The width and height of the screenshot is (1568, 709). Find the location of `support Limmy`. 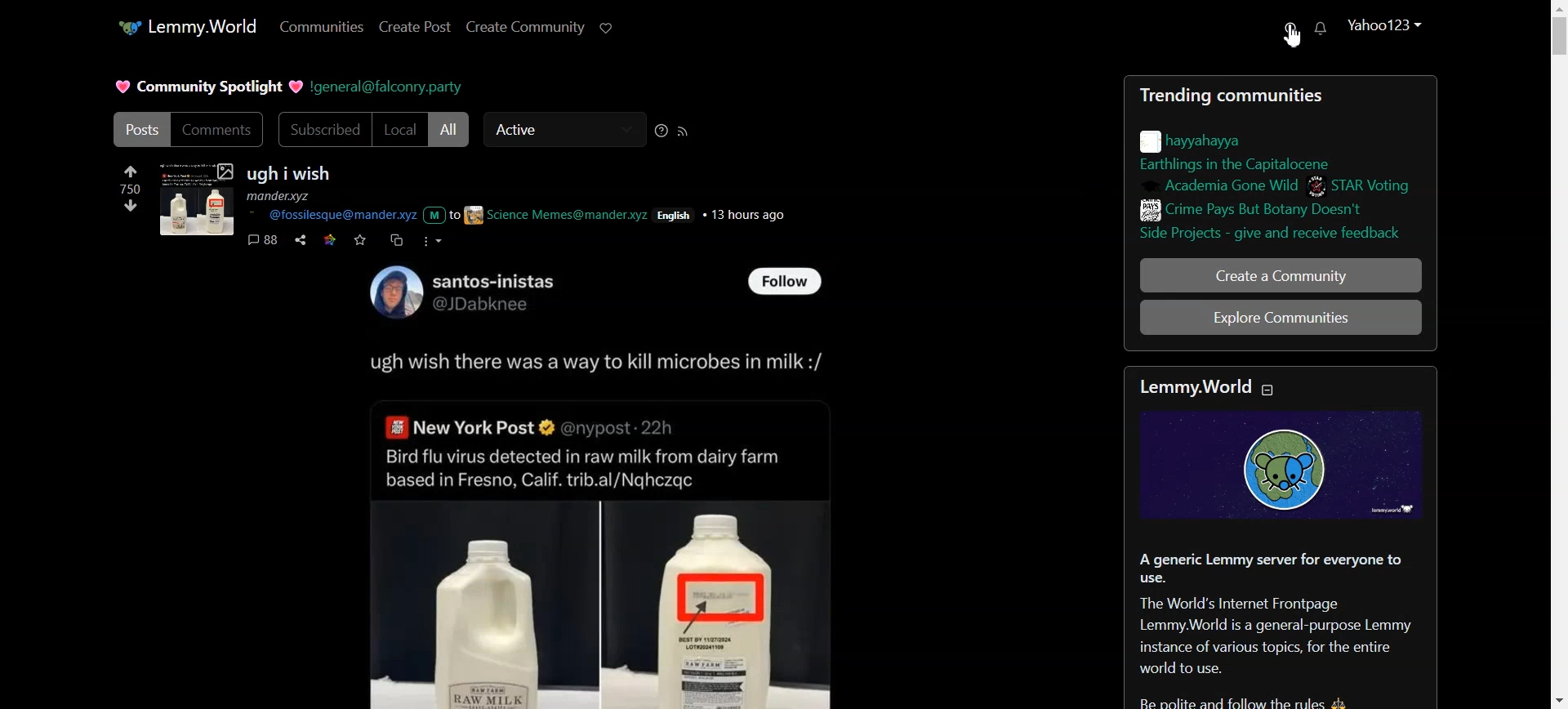

support Limmy is located at coordinates (608, 29).